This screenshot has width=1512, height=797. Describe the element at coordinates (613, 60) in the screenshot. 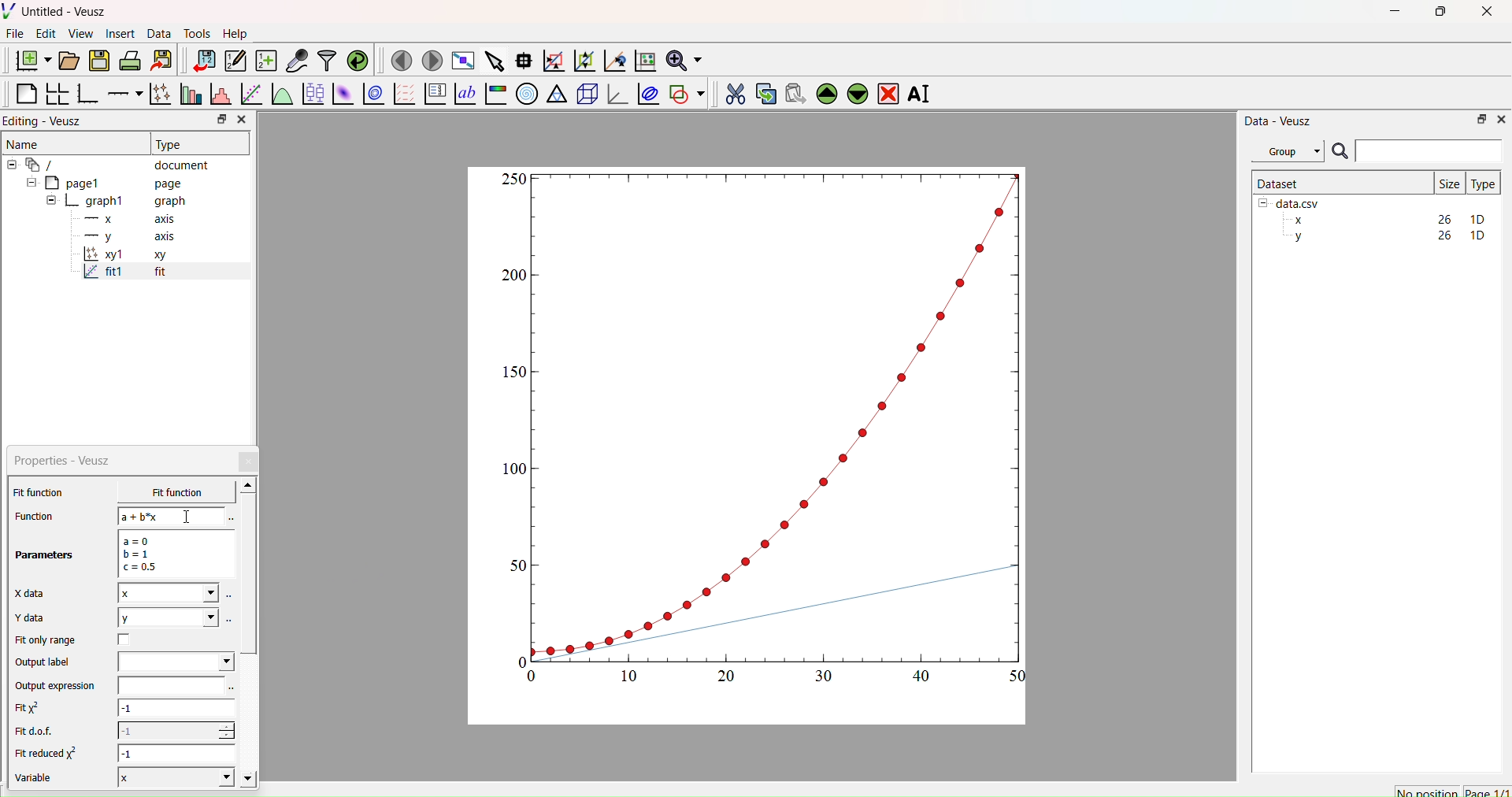

I see `Recenter graph axis` at that location.